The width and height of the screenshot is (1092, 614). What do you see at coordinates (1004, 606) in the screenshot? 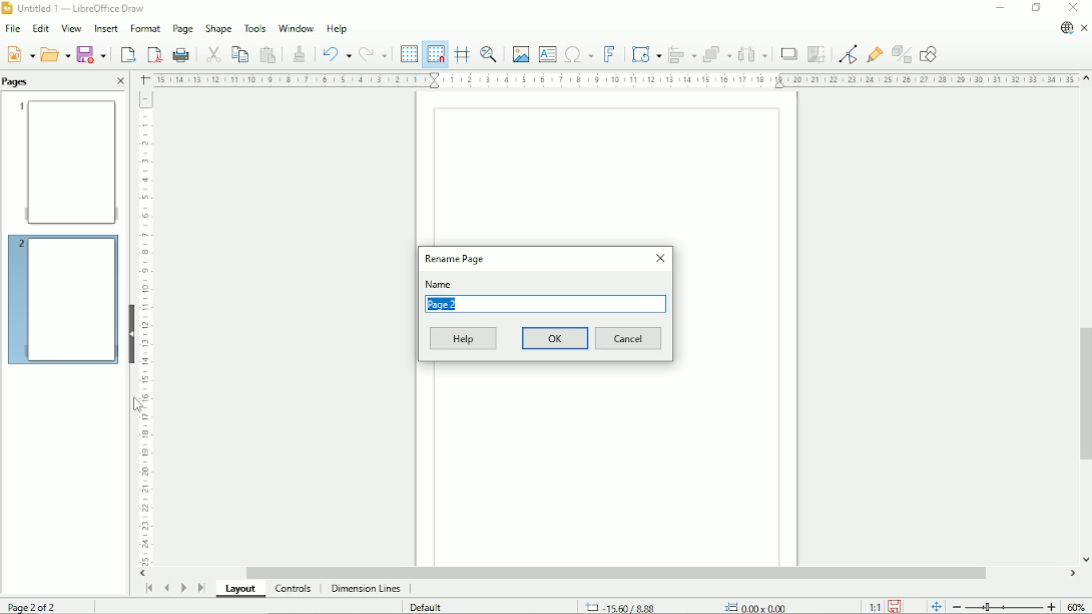
I see `Zoom out/in` at bounding box center [1004, 606].